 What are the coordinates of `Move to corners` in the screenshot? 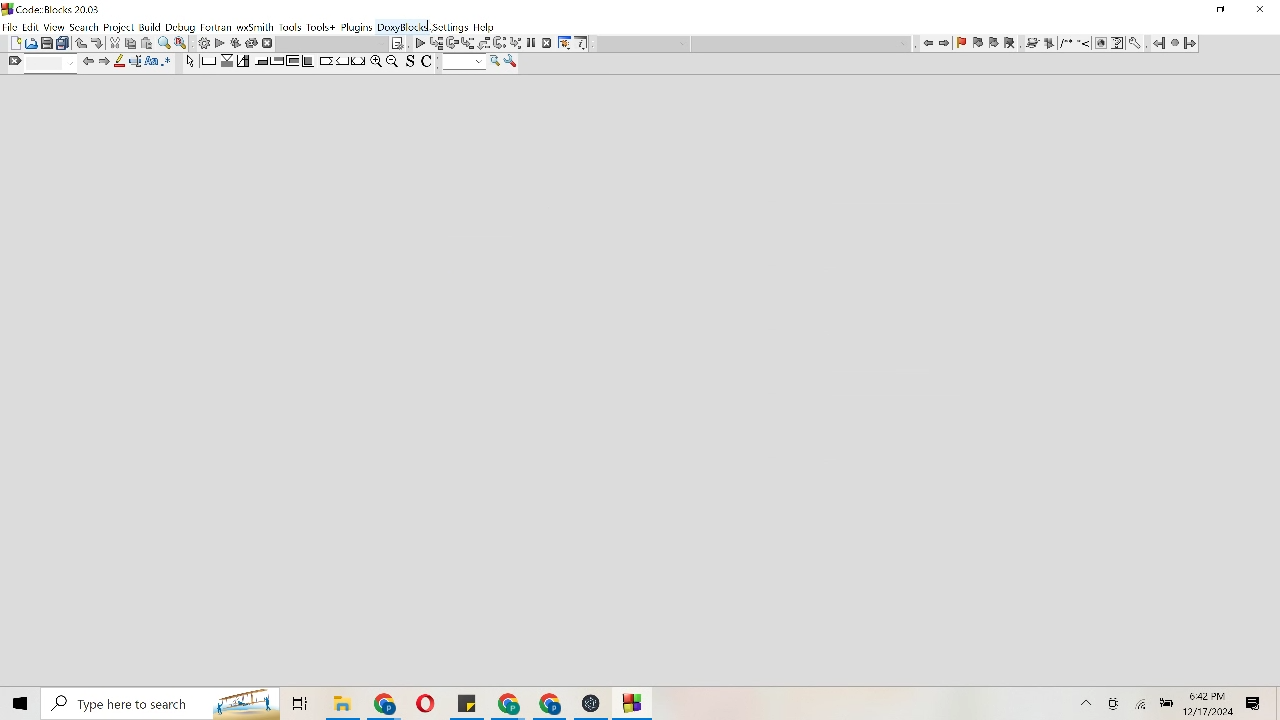 It's located at (260, 61).